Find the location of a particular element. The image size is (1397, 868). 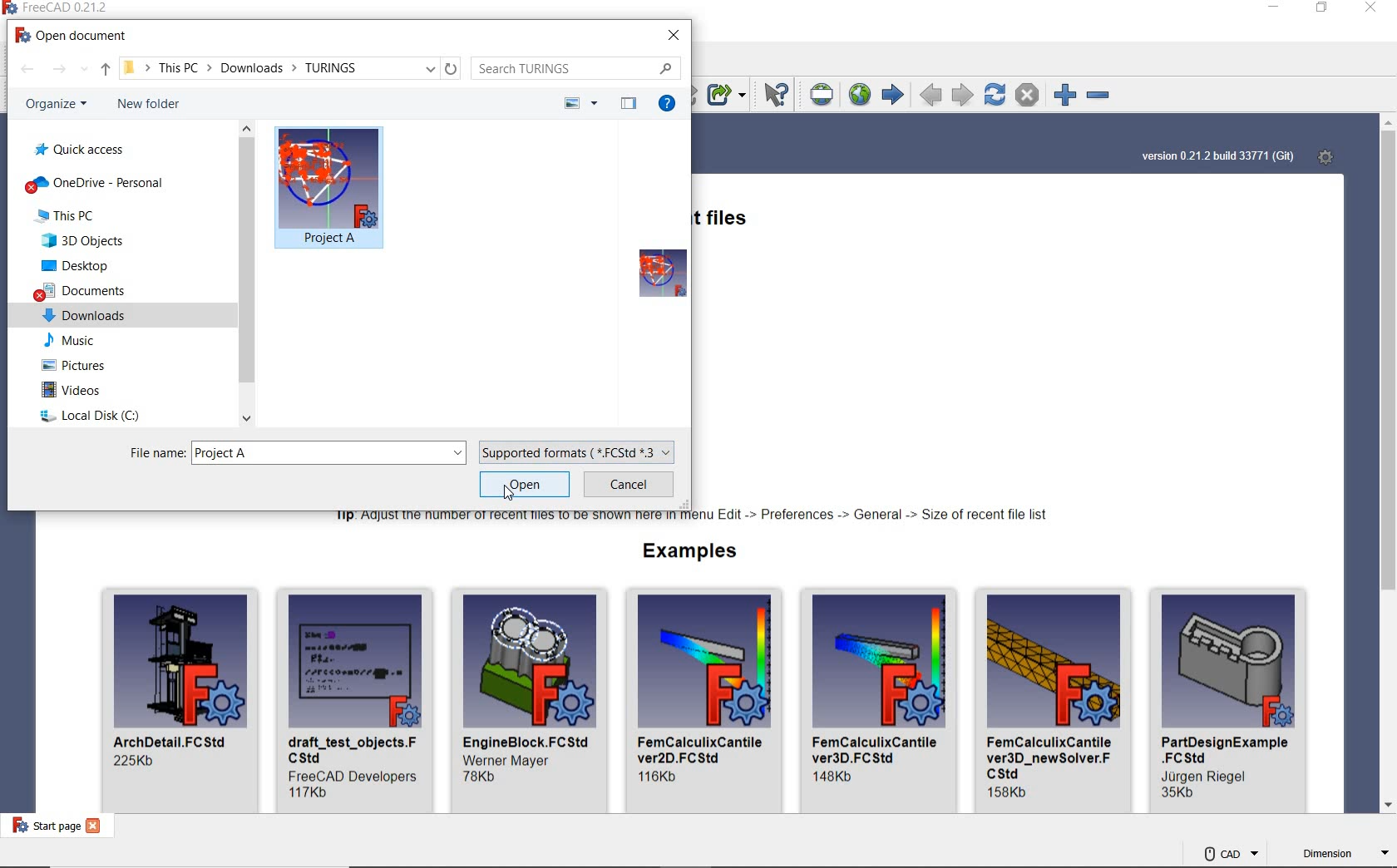

dev name is located at coordinates (513, 760).